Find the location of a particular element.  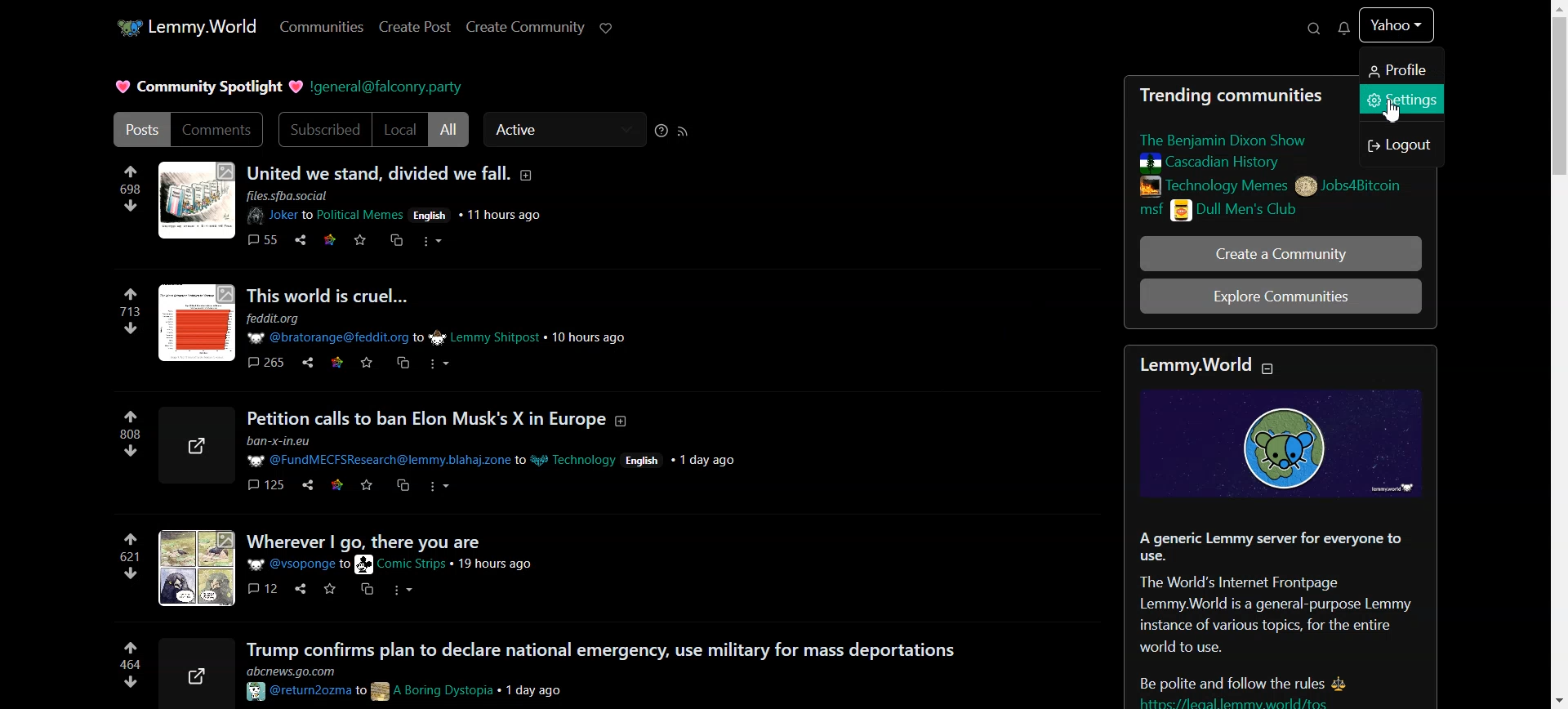

profile picture is located at coordinates (196, 199).